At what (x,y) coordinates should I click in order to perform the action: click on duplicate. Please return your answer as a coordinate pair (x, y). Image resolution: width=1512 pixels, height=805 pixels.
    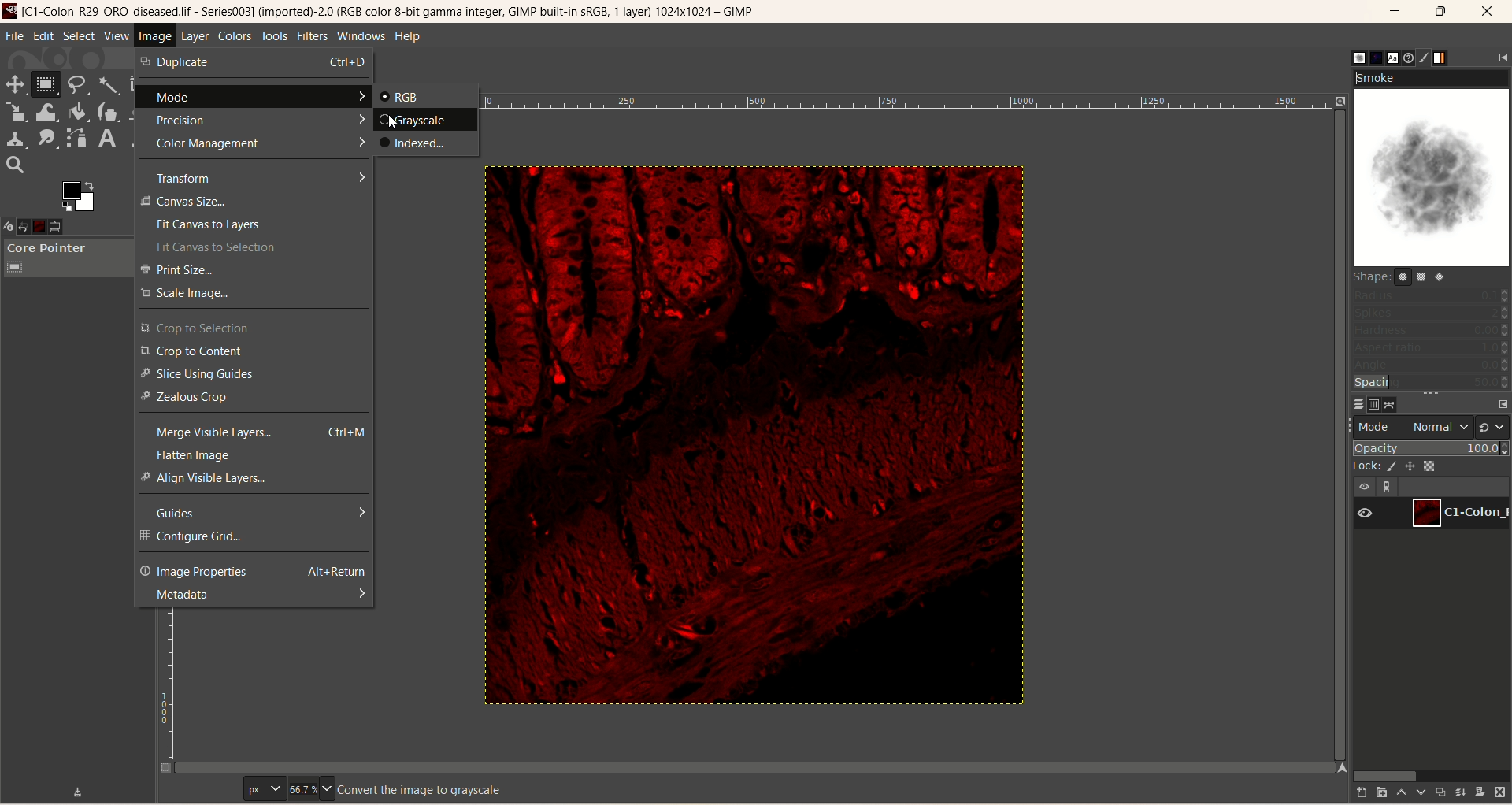
    Looking at the image, I should click on (254, 61).